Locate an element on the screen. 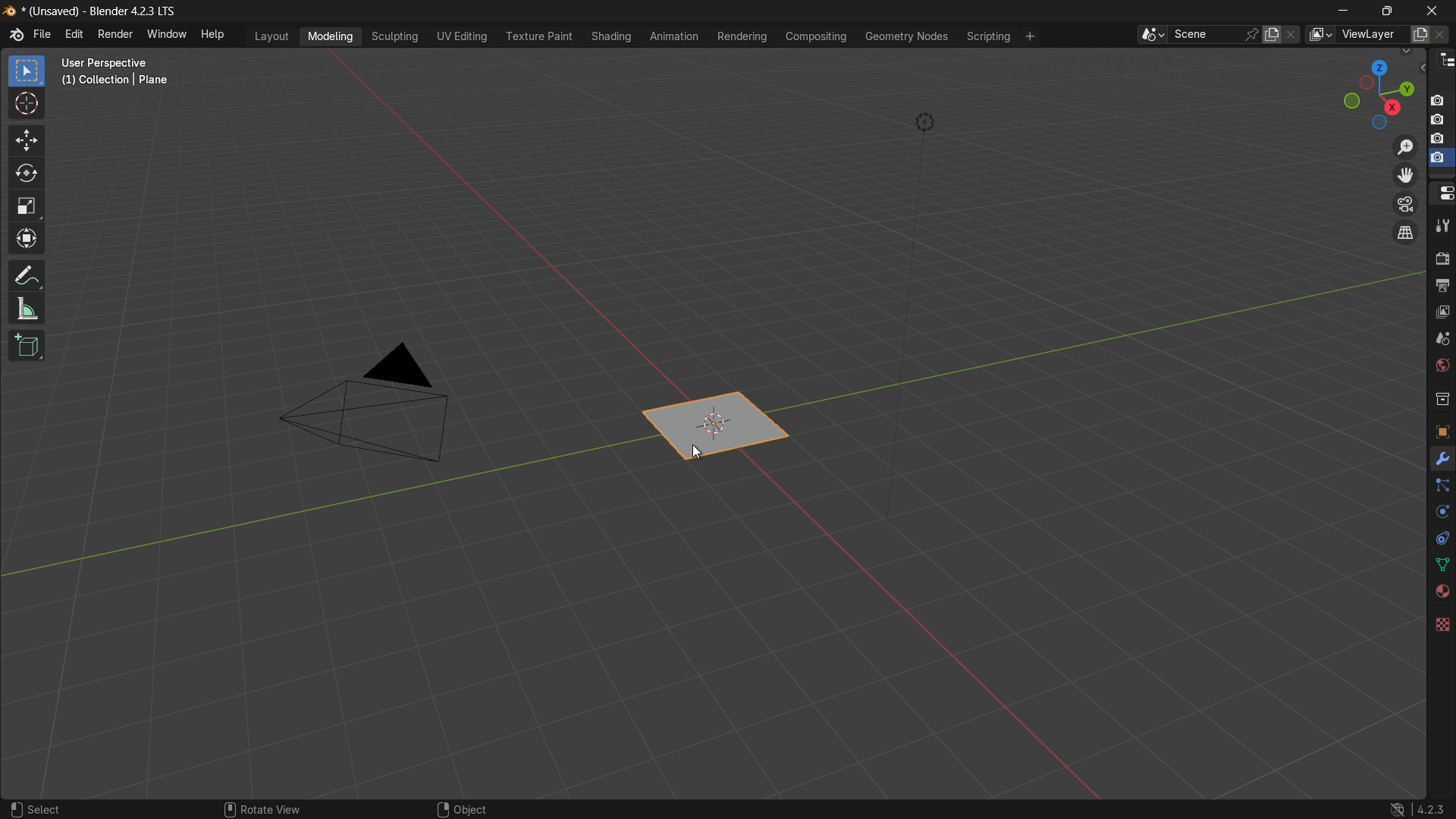 Image resolution: width=1456 pixels, height=819 pixels. layout is located at coordinates (275, 35).